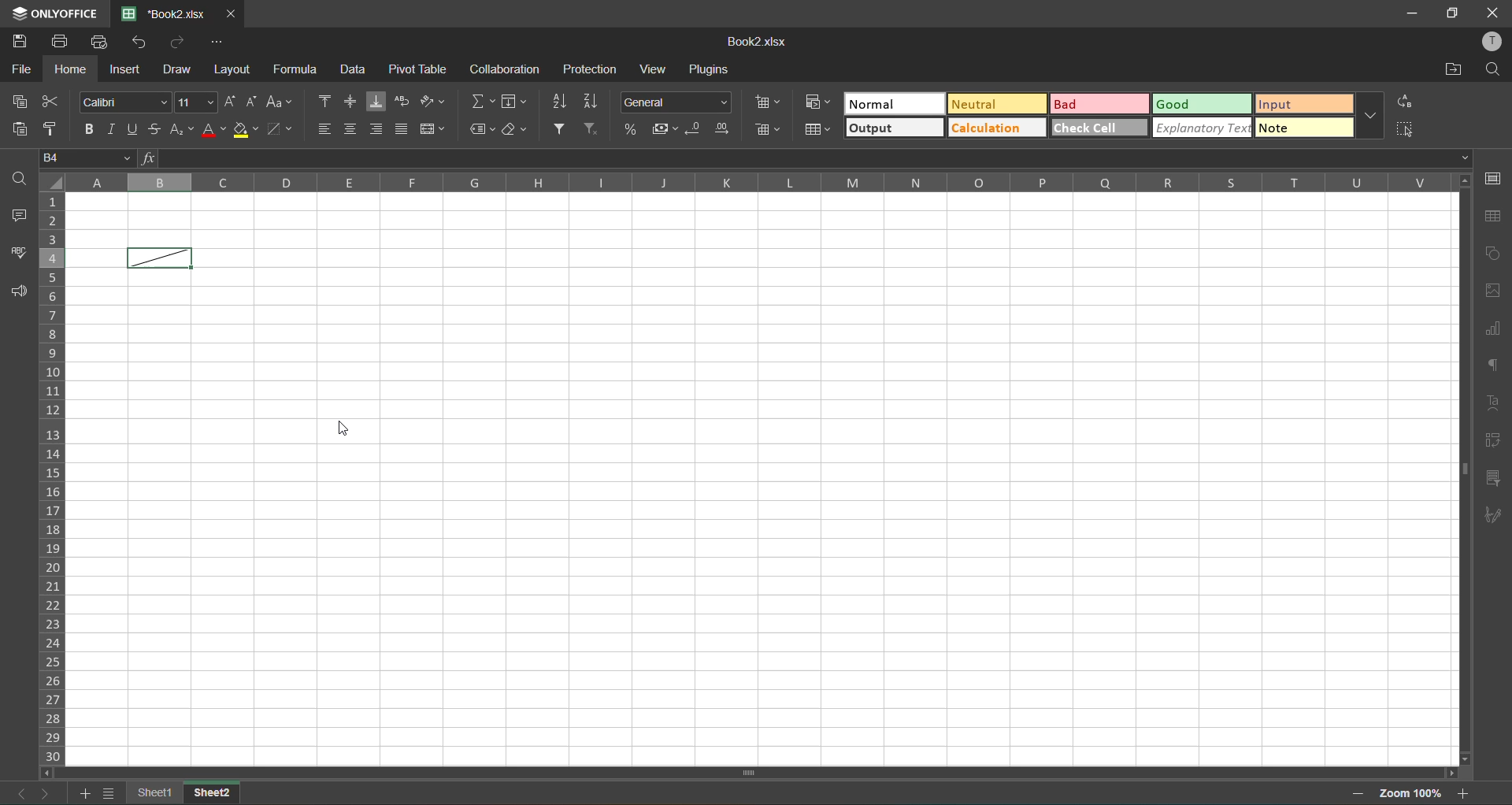  I want to click on home, so click(74, 69).